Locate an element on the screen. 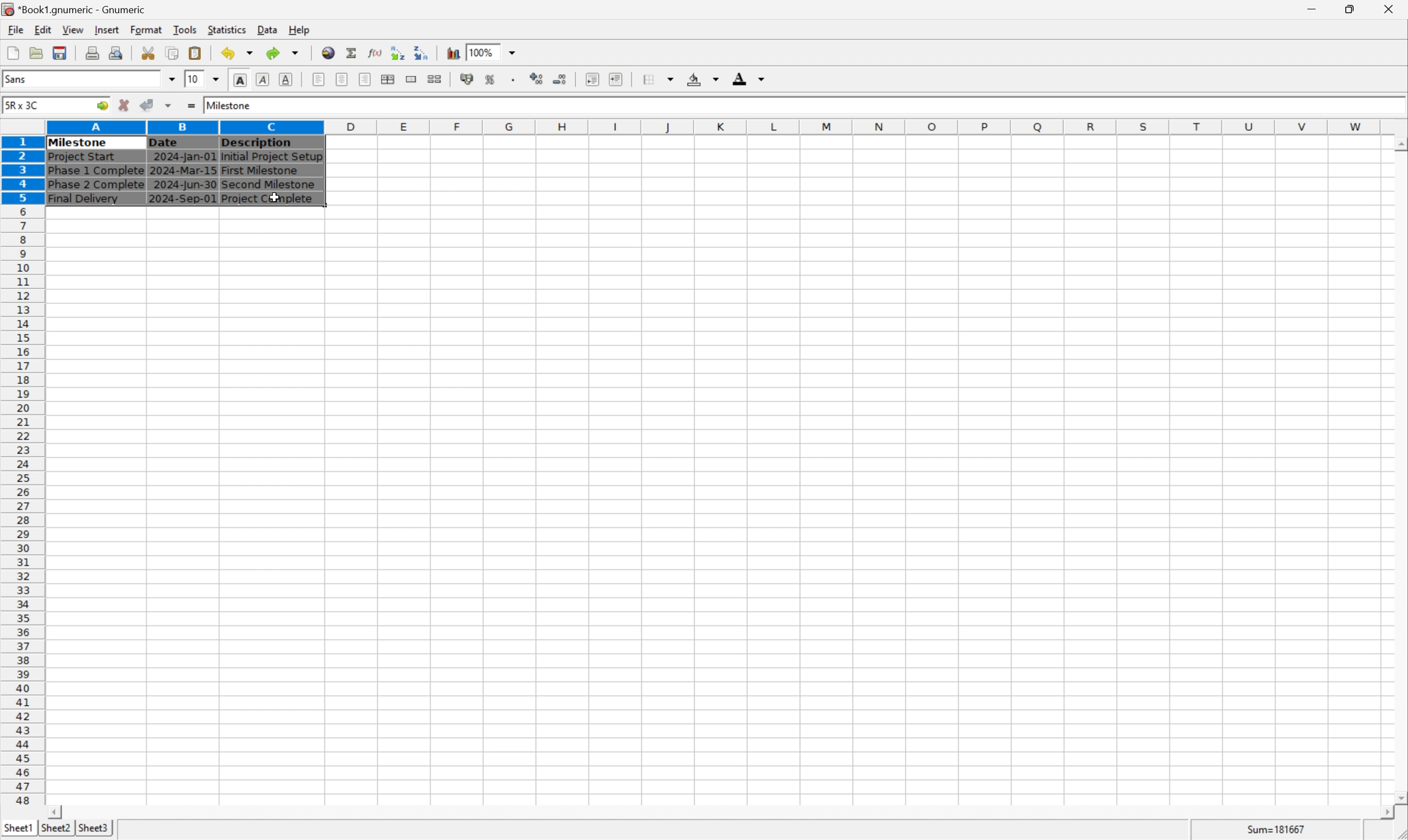 This screenshot has width=1408, height=840. go to is located at coordinates (100, 106).